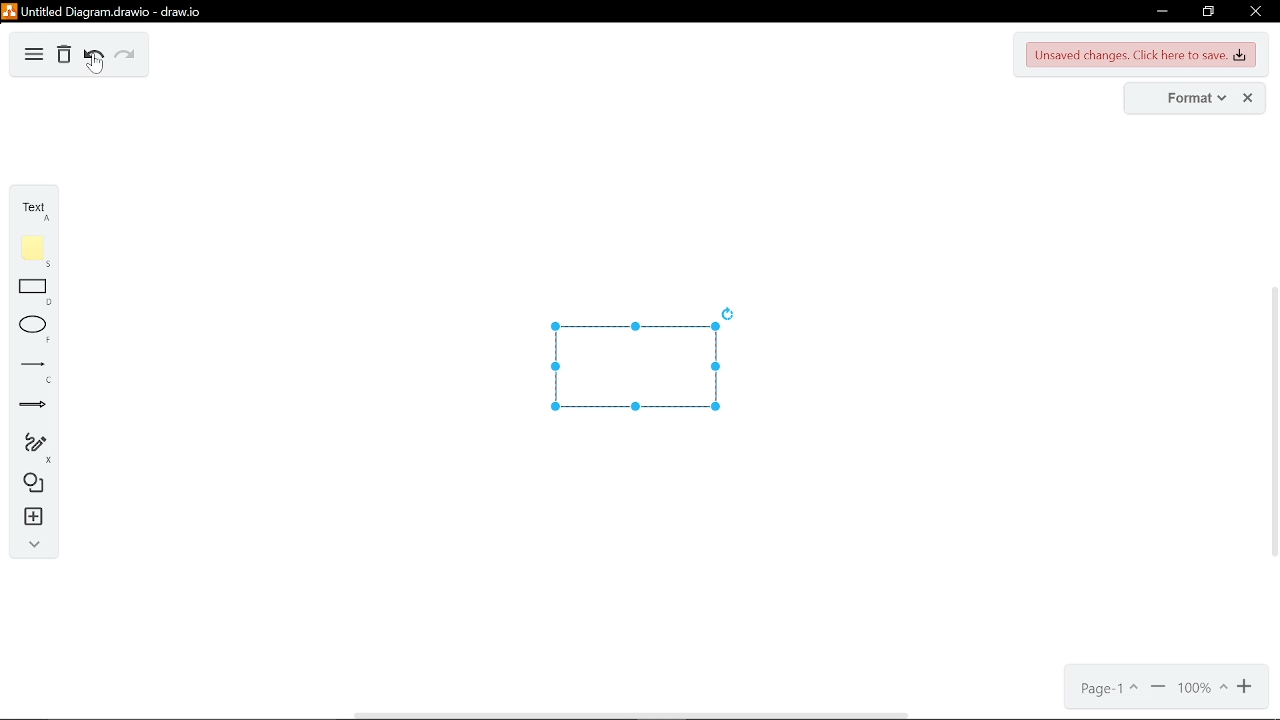 The width and height of the screenshot is (1280, 720). I want to click on 100%, so click(1206, 689).